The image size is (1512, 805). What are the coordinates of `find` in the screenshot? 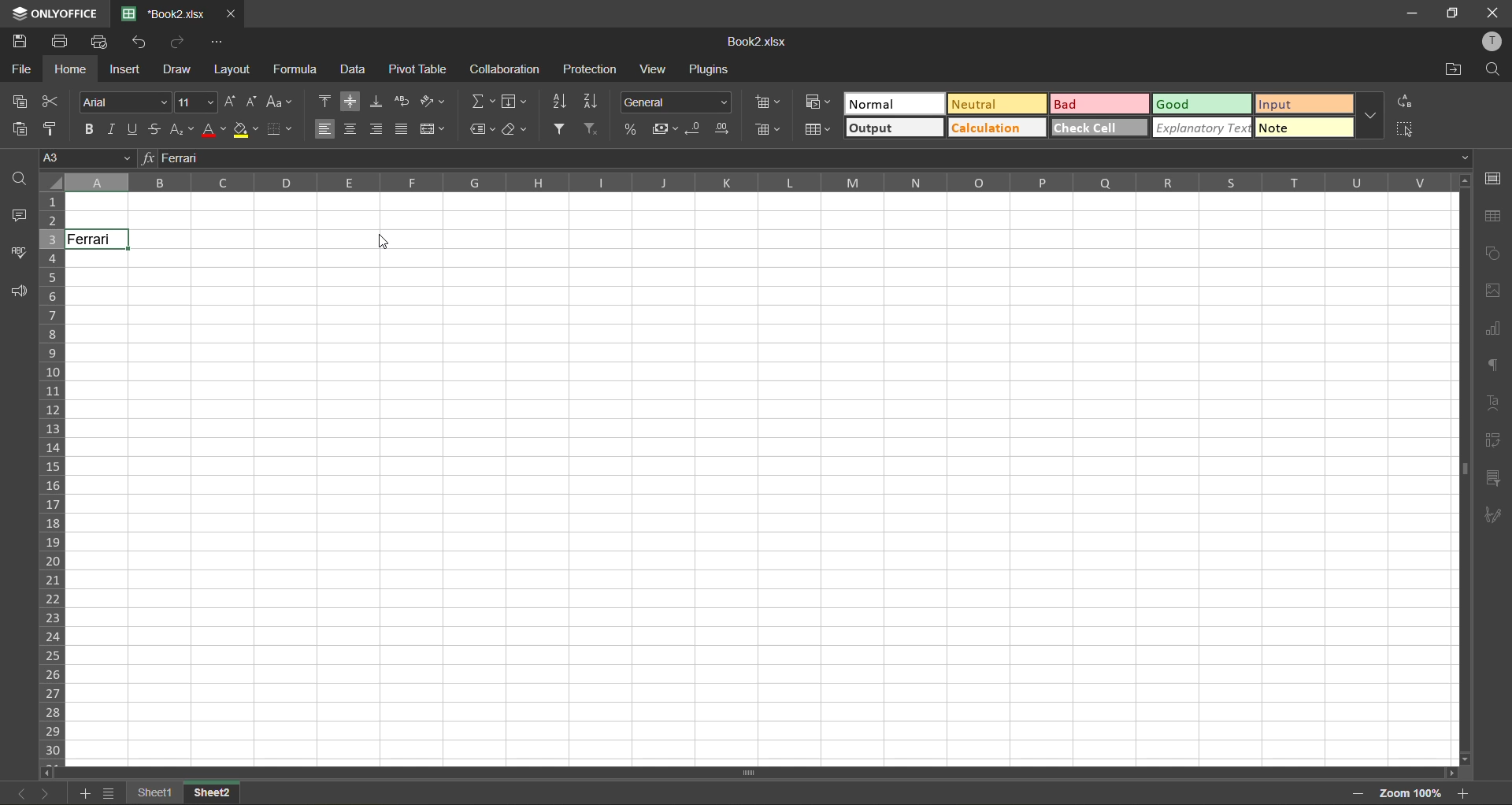 It's located at (17, 180).